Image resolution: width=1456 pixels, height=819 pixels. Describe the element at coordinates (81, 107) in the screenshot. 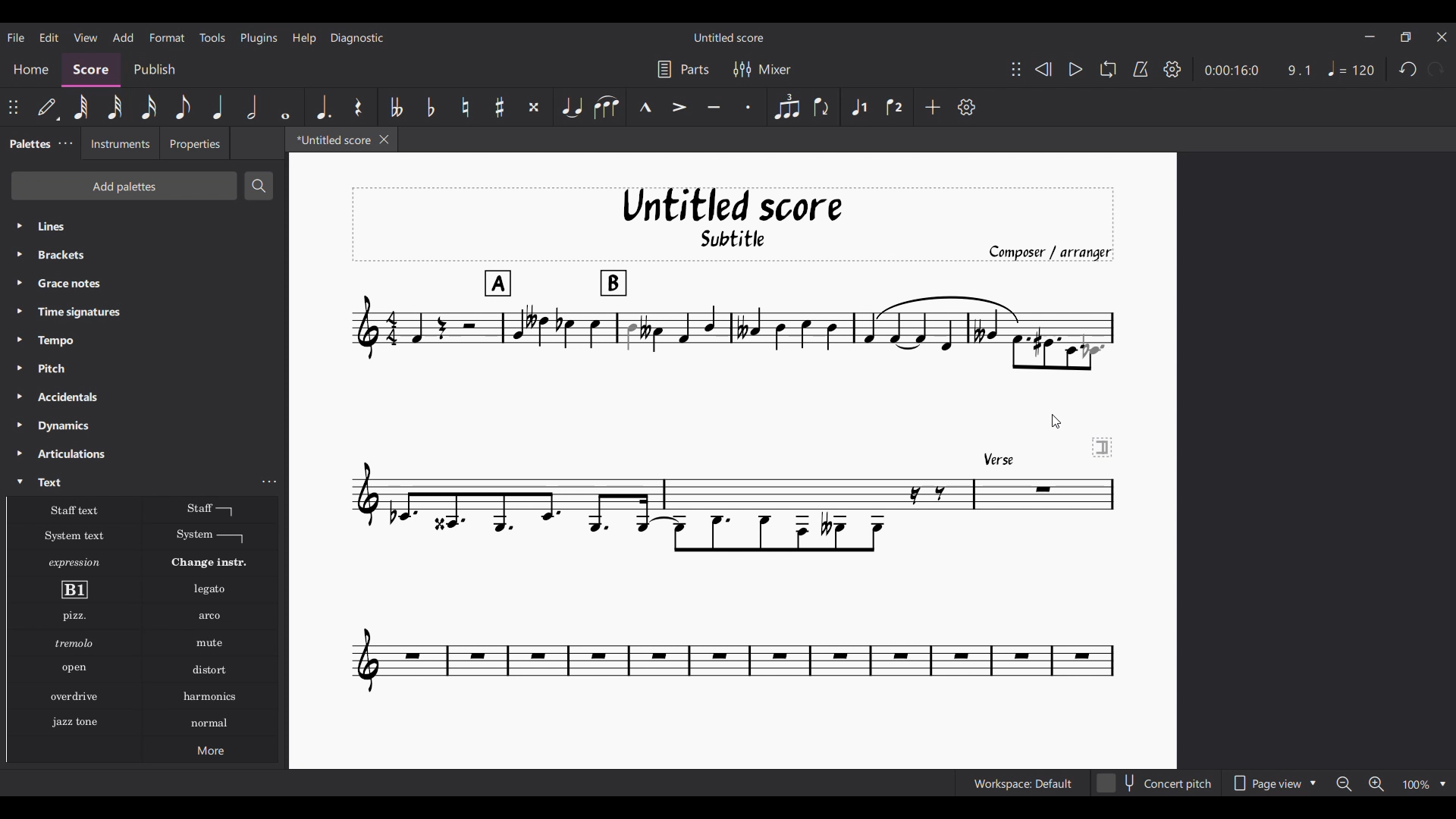

I see `64th note` at that location.